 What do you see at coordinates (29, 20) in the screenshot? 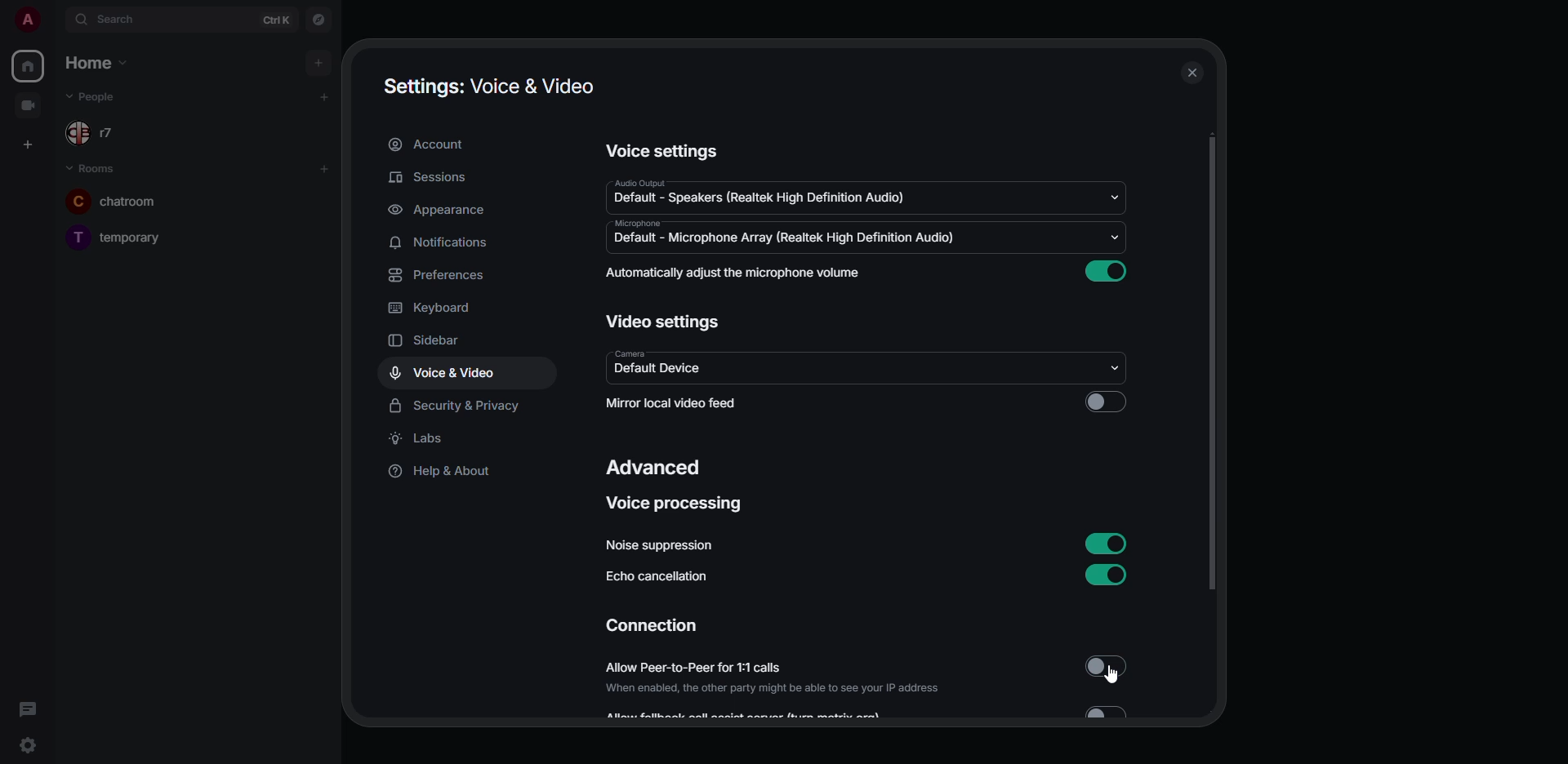
I see `profile` at bounding box center [29, 20].